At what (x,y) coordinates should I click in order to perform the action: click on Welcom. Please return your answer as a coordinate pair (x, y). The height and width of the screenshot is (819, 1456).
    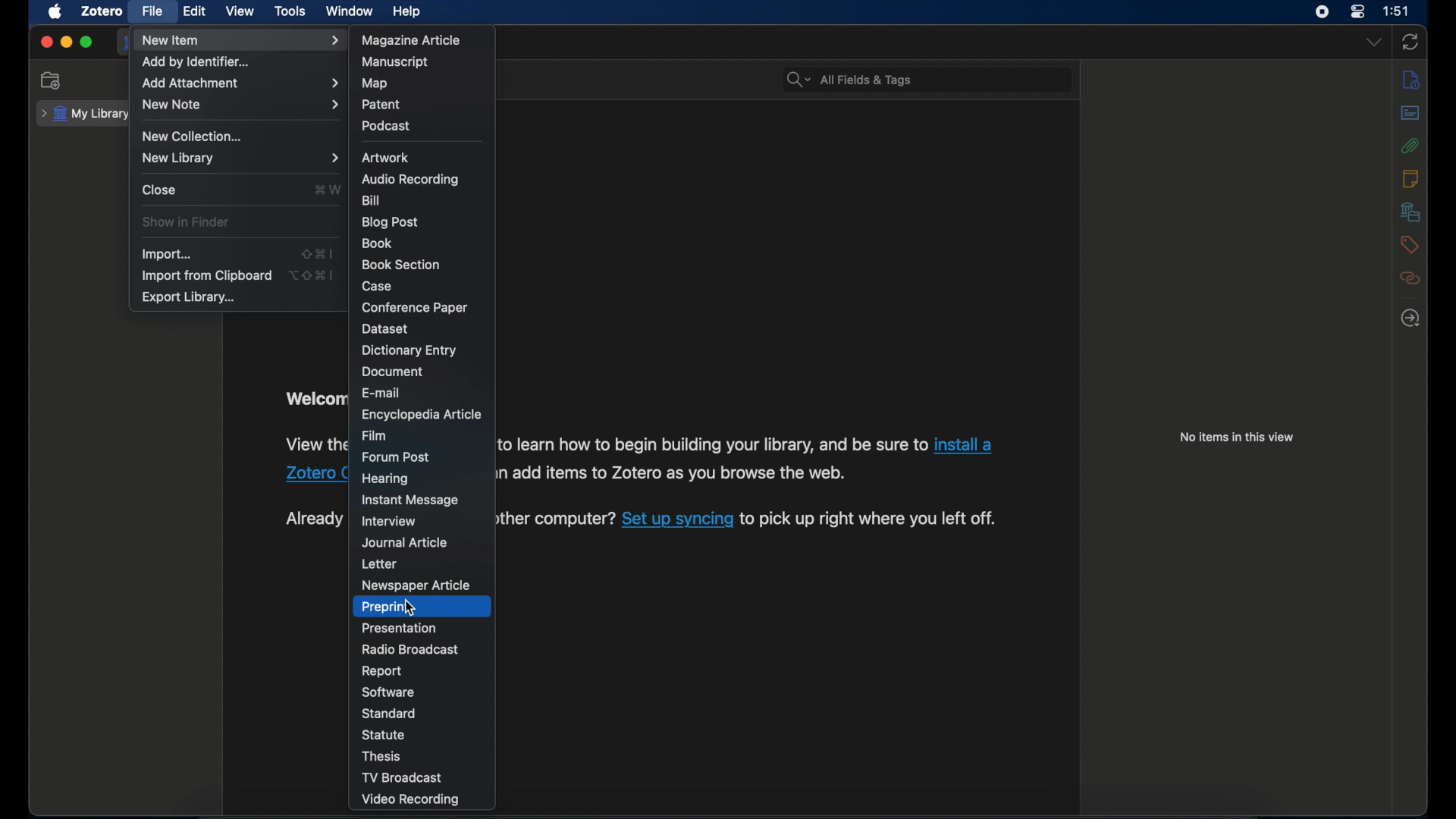
    Looking at the image, I should click on (312, 400).